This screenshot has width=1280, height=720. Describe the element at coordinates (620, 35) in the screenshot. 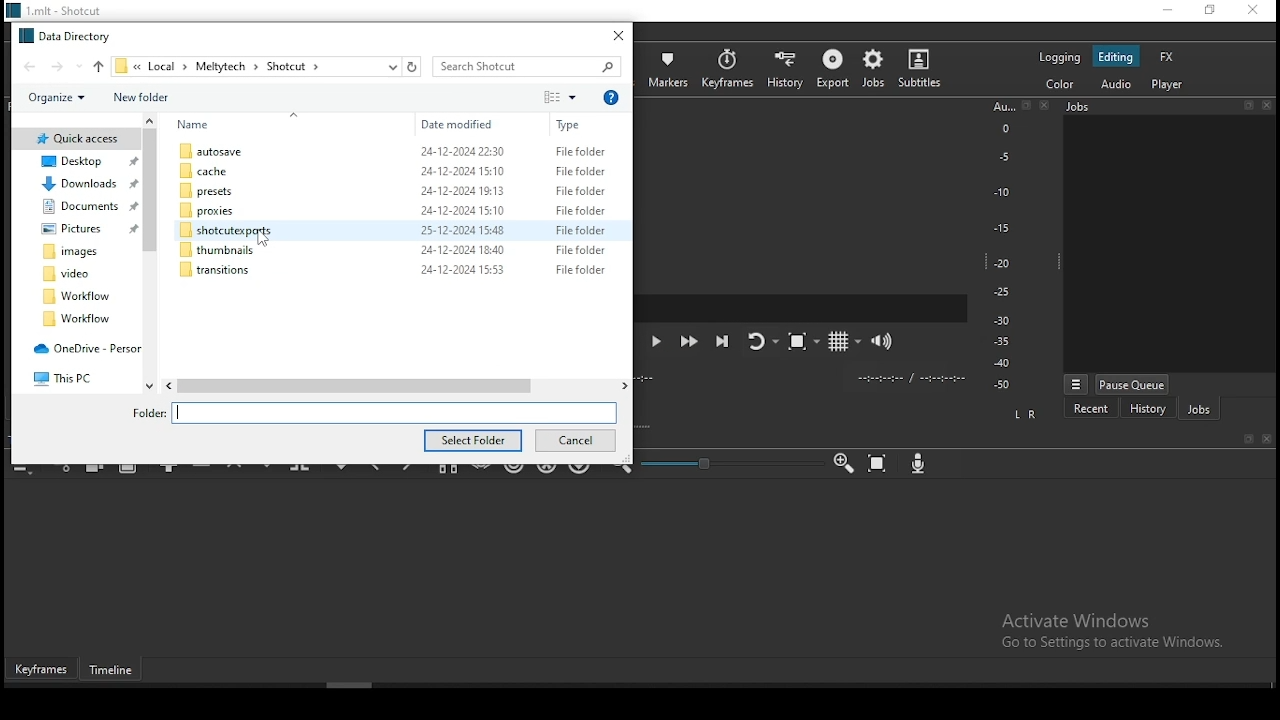

I see `close window` at that location.